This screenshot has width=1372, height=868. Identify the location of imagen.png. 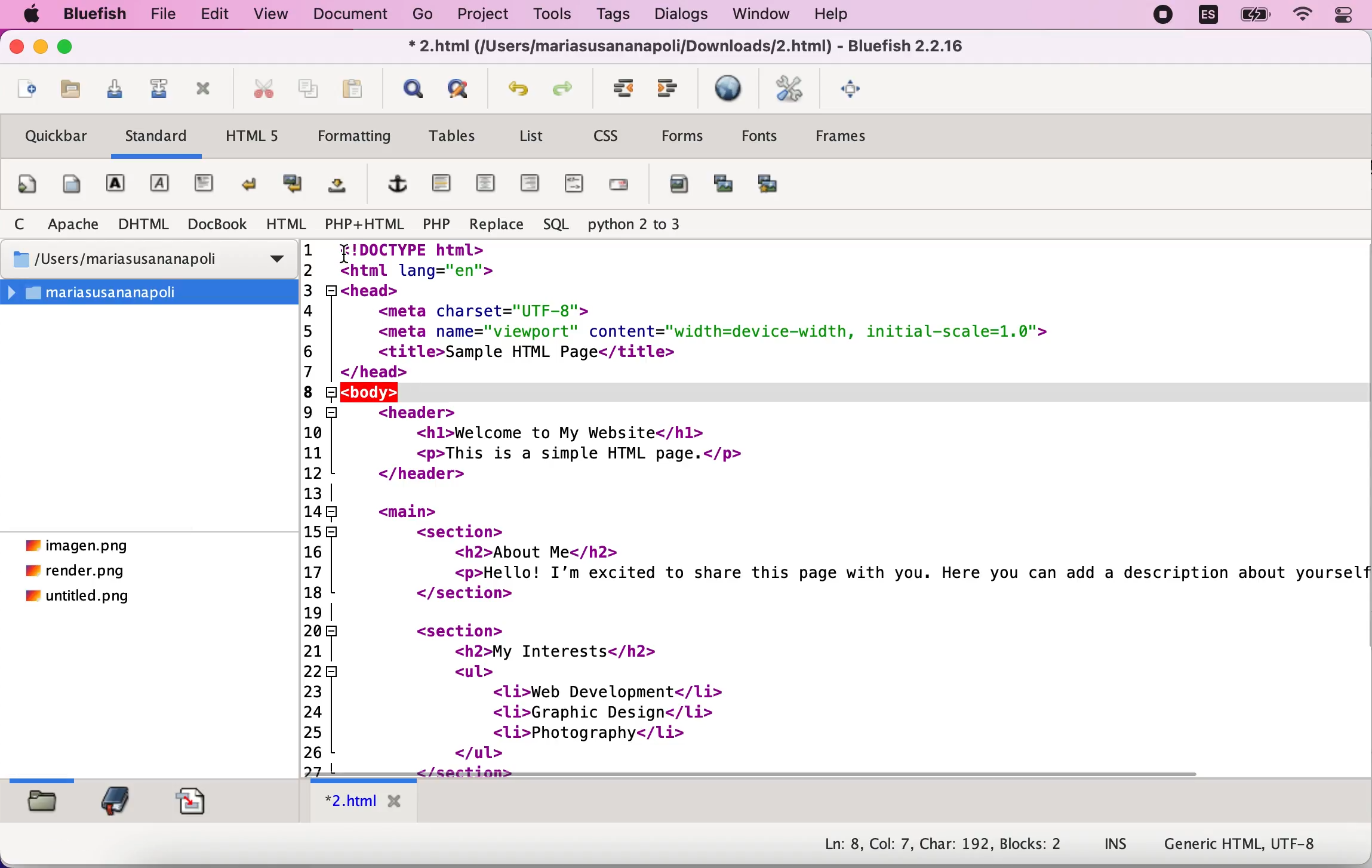
(77, 546).